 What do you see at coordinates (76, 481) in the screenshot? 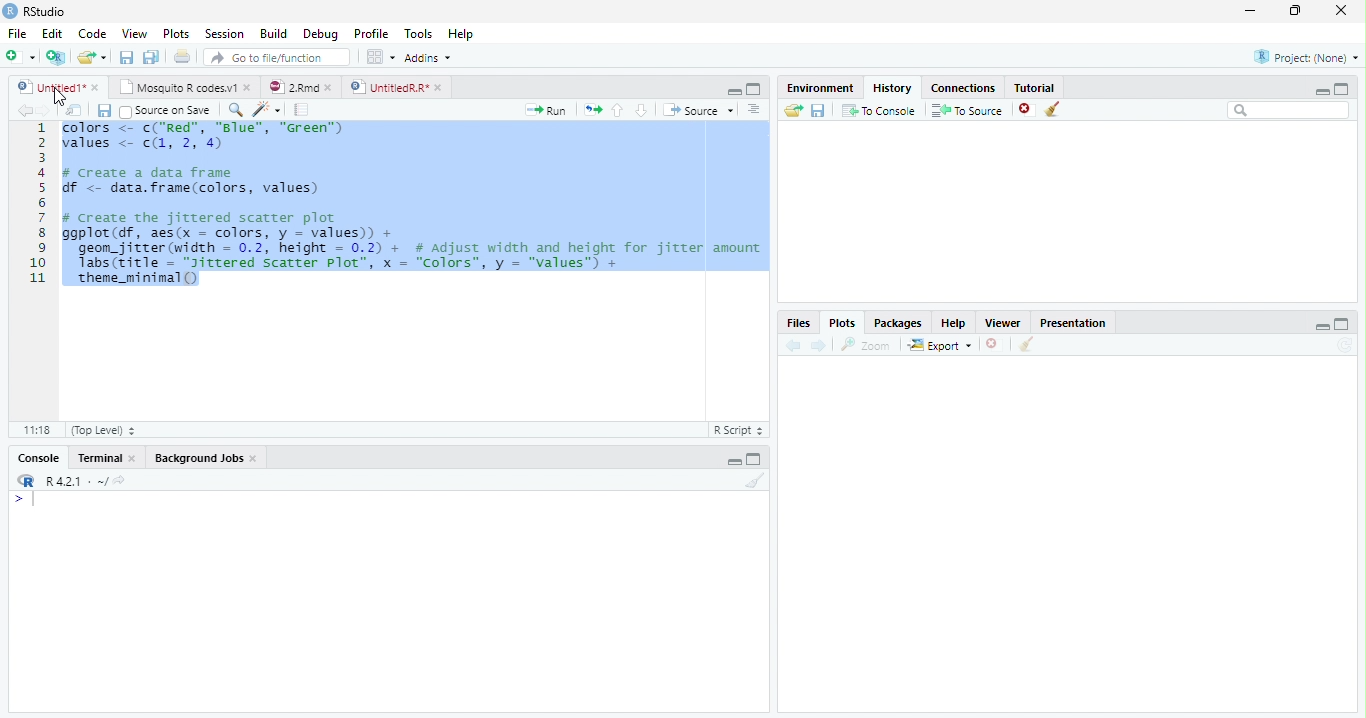
I see `R 4.2.1 . ~/` at bounding box center [76, 481].